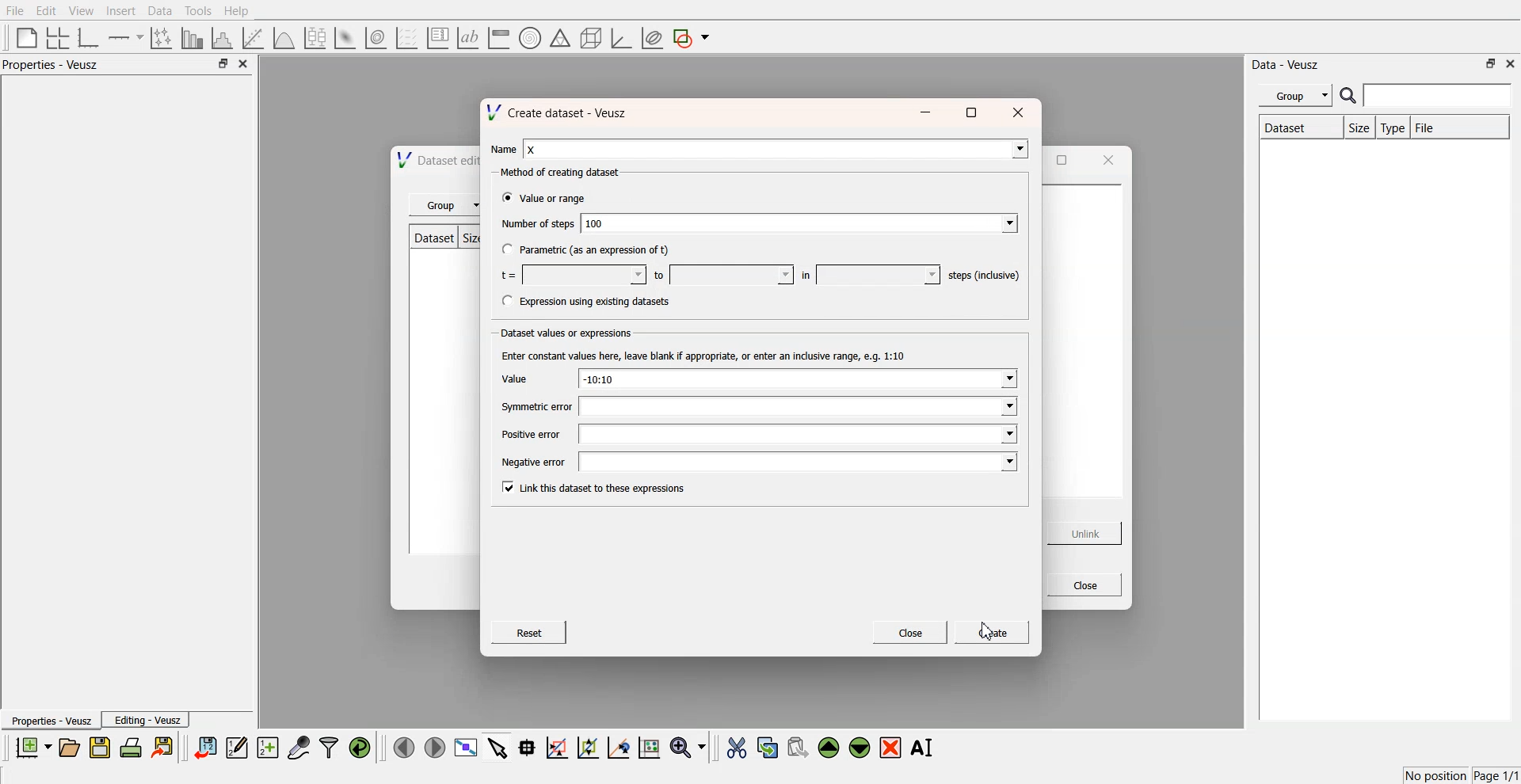 Image resolution: width=1521 pixels, height=784 pixels. I want to click on No position, so click(1438, 774).